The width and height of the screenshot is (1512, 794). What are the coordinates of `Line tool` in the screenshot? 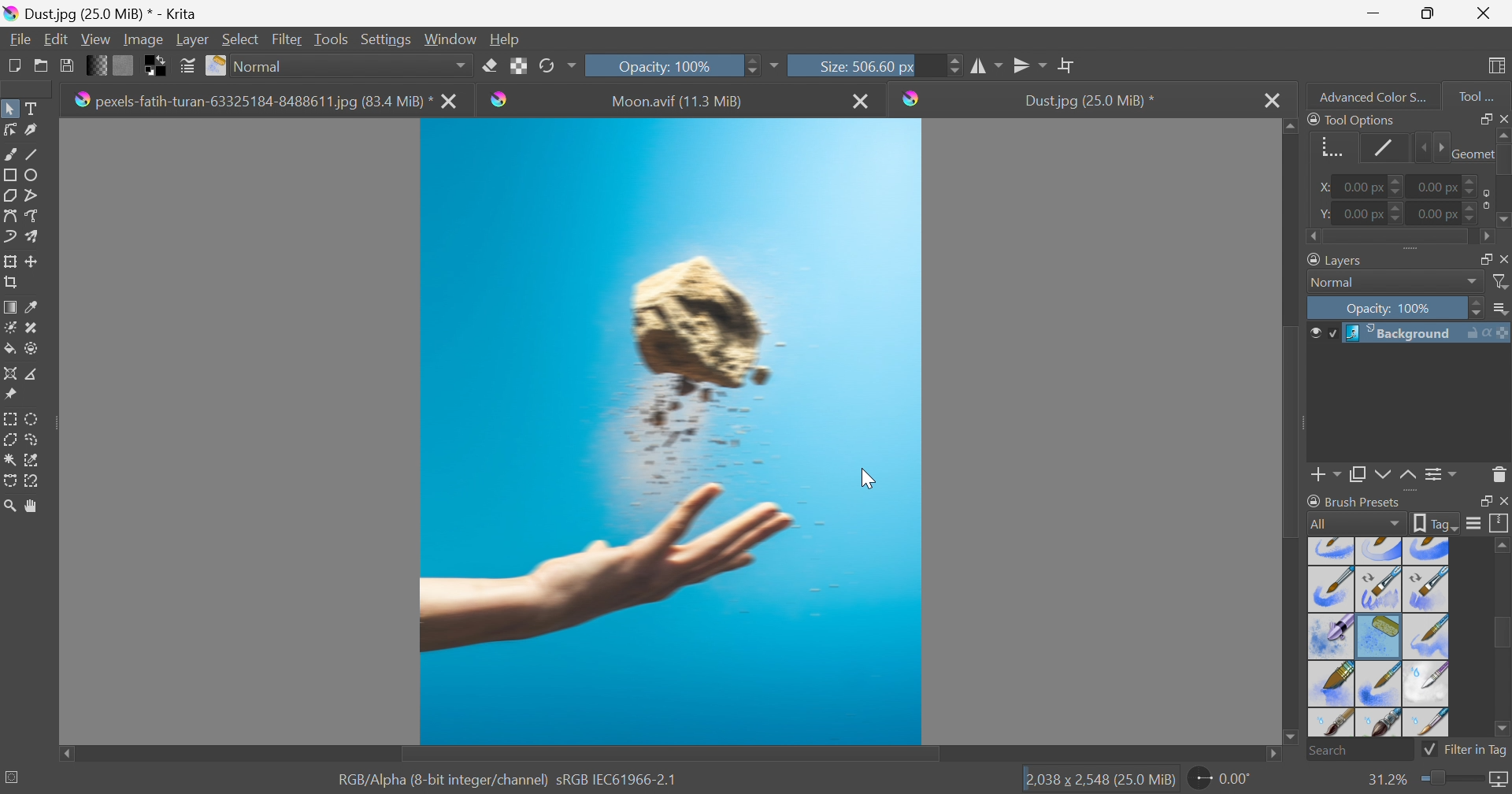 It's located at (38, 154).